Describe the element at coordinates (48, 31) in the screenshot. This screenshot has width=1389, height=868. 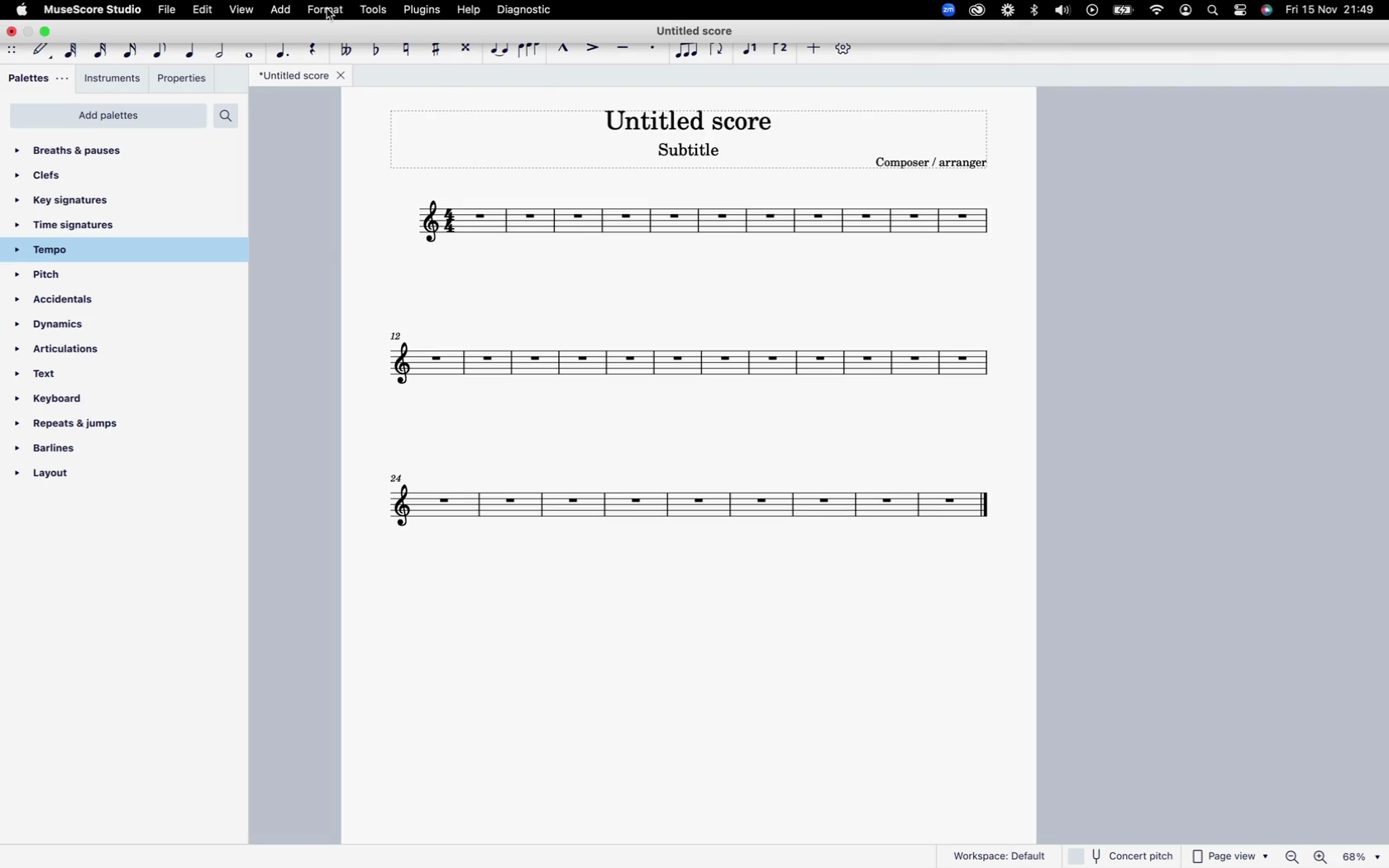
I see `maximize` at that location.